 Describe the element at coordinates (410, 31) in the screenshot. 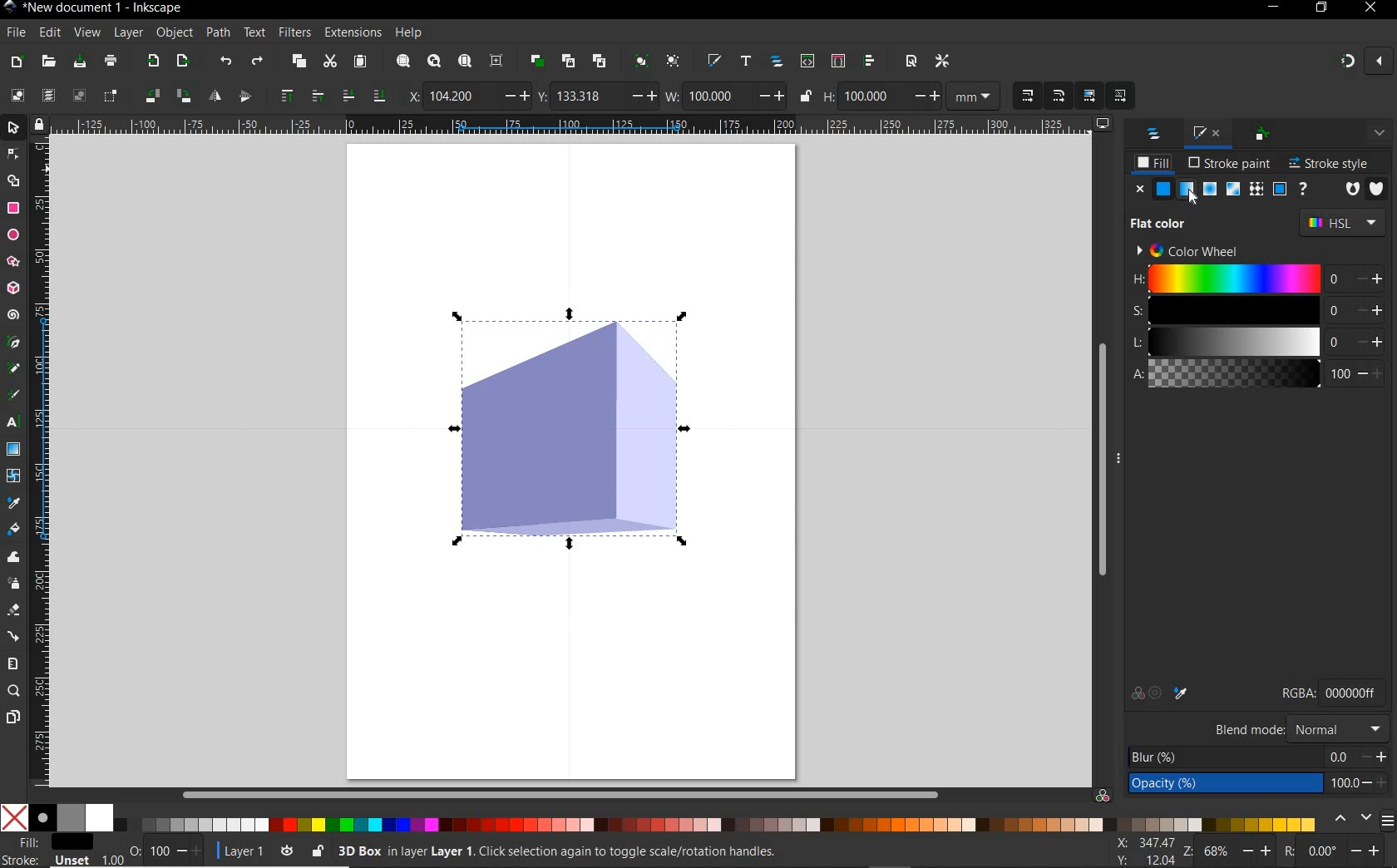

I see `HELP` at that location.